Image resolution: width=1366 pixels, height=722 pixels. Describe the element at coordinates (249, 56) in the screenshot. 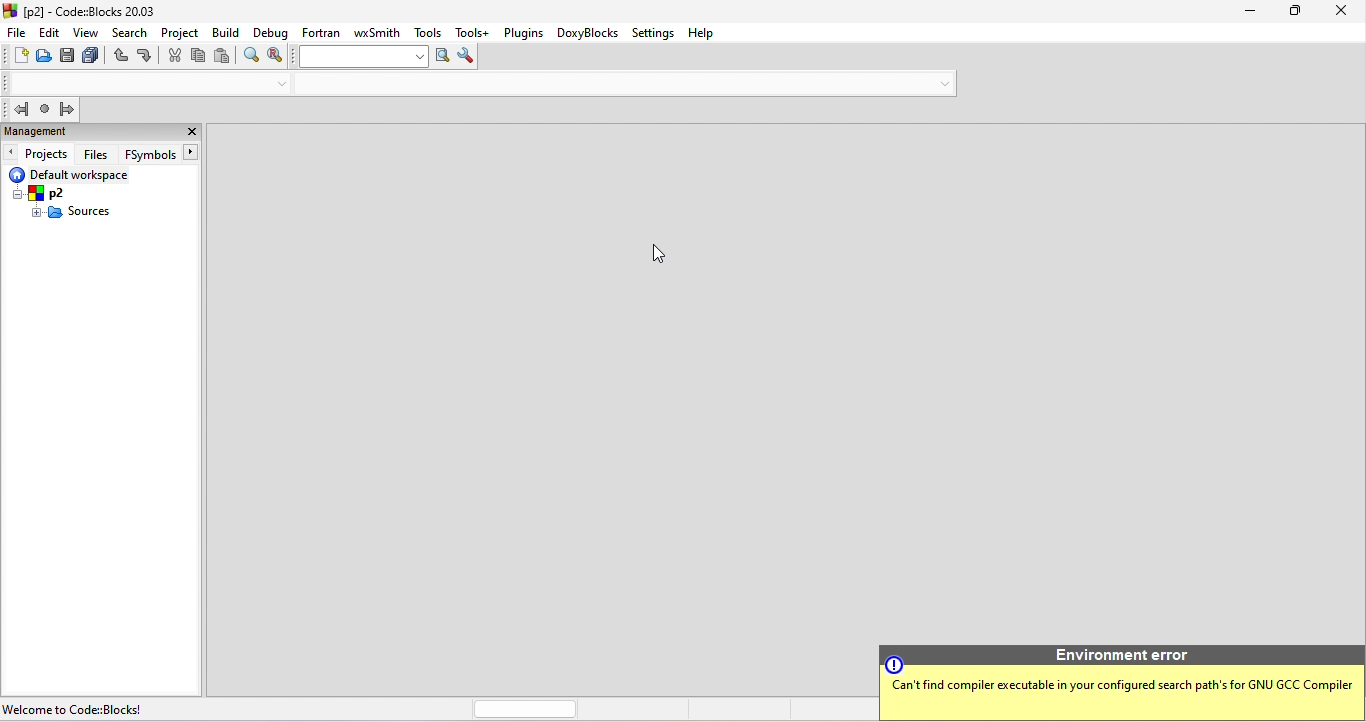

I see `find` at that location.